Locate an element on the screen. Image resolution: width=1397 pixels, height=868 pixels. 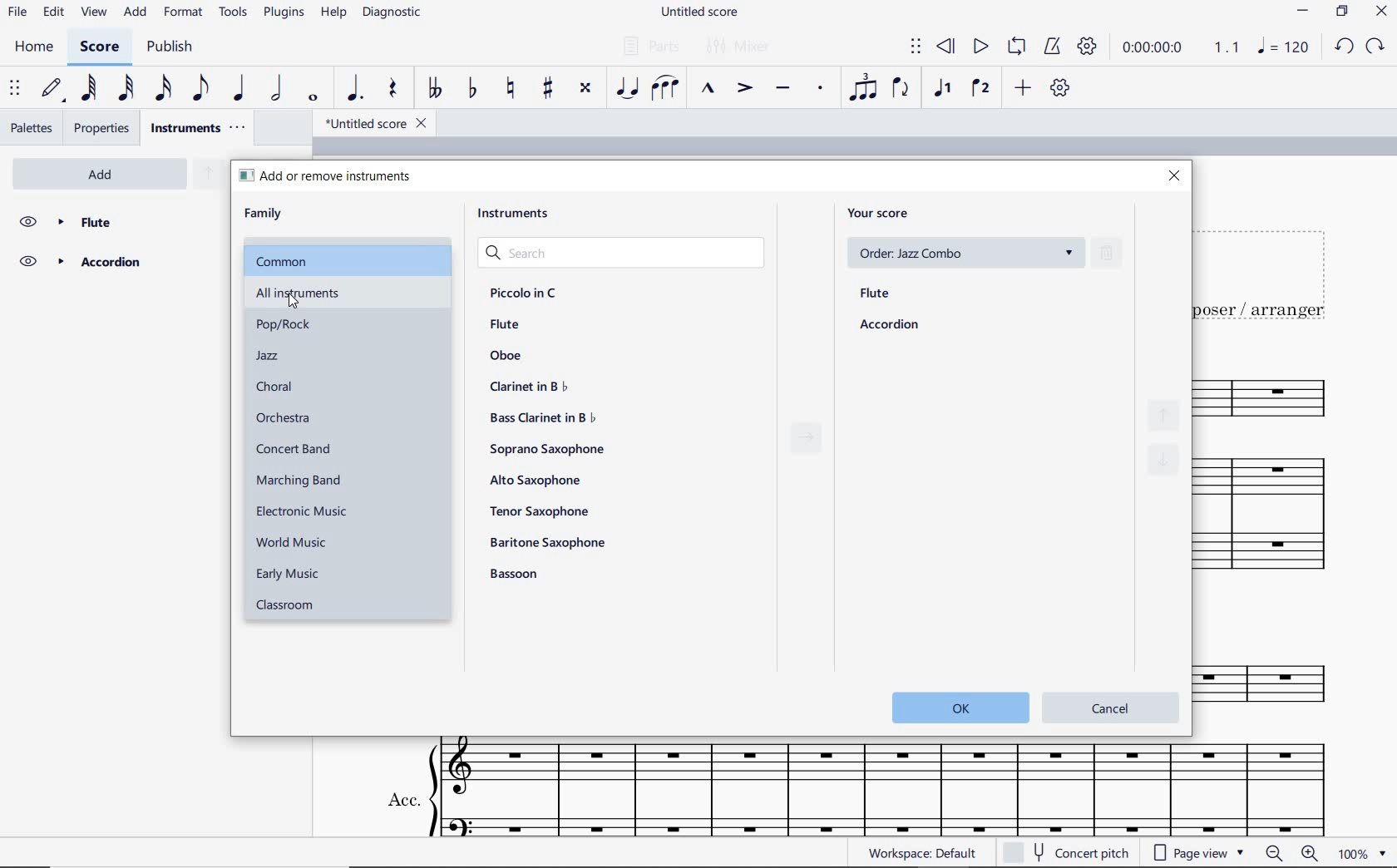
world music is located at coordinates (296, 542).